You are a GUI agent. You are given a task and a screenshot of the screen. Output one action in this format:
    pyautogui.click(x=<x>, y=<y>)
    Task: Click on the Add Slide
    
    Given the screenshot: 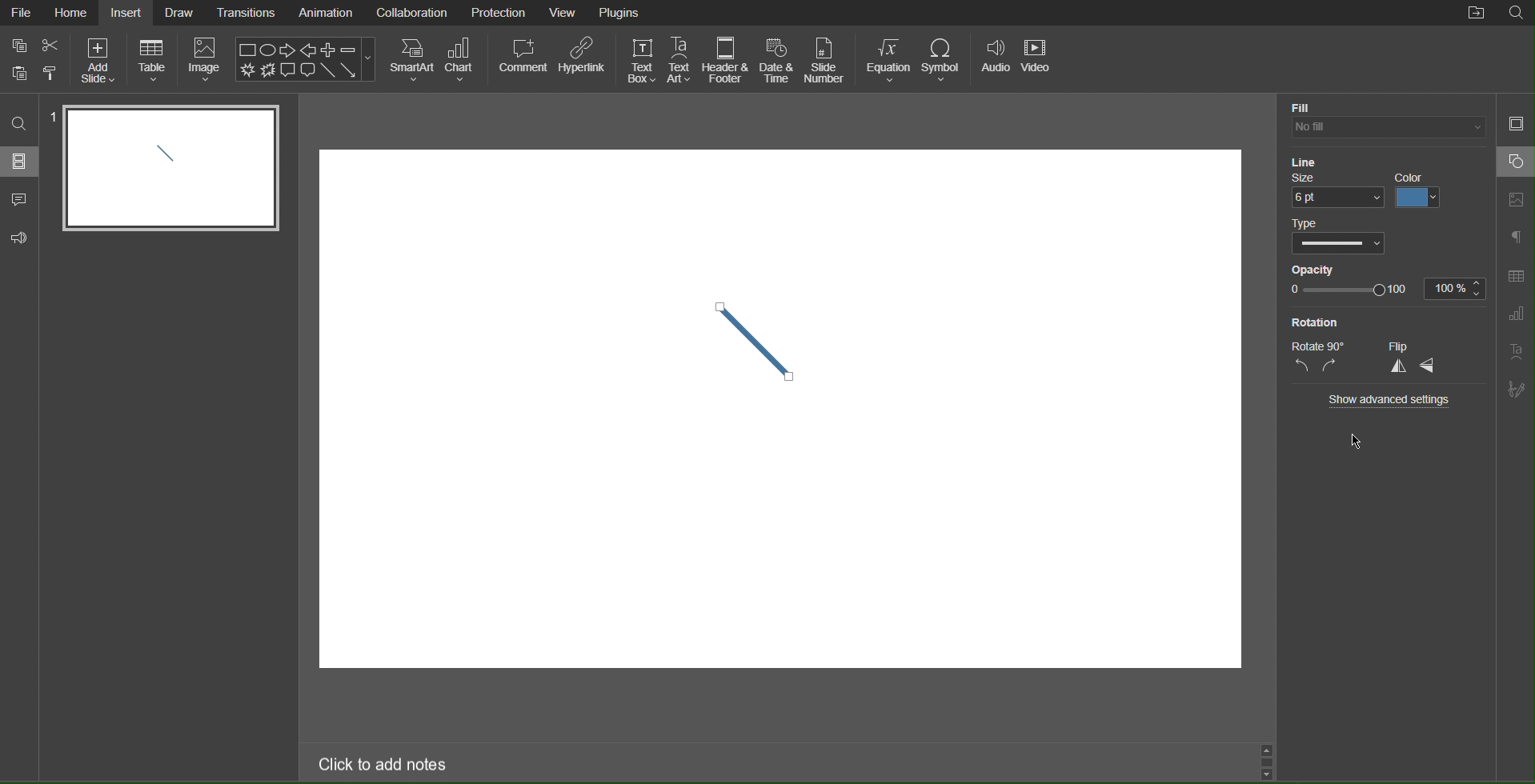 What is the action you would take?
    pyautogui.click(x=98, y=61)
    